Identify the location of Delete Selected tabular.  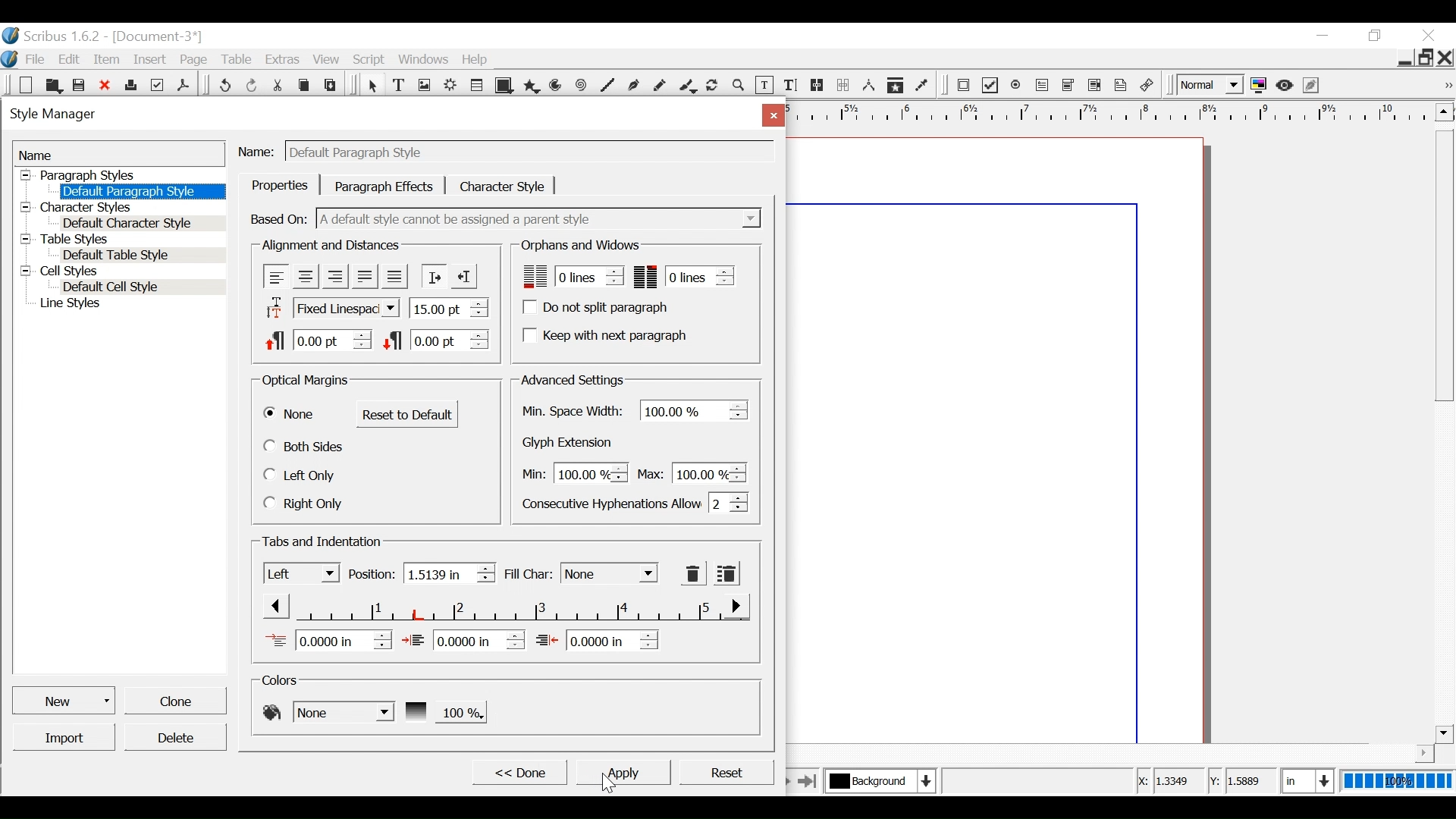
(693, 573).